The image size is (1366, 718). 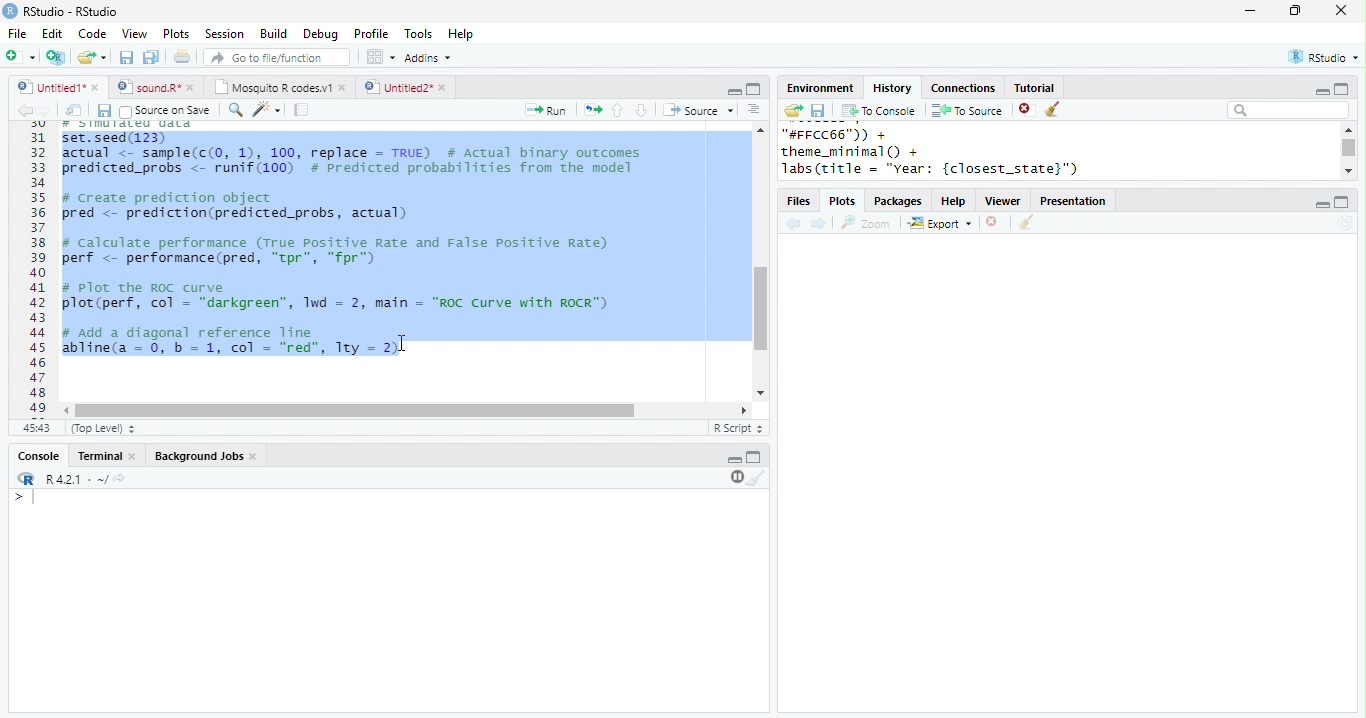 I want to click on line numbering, so click(x=40, y=269).